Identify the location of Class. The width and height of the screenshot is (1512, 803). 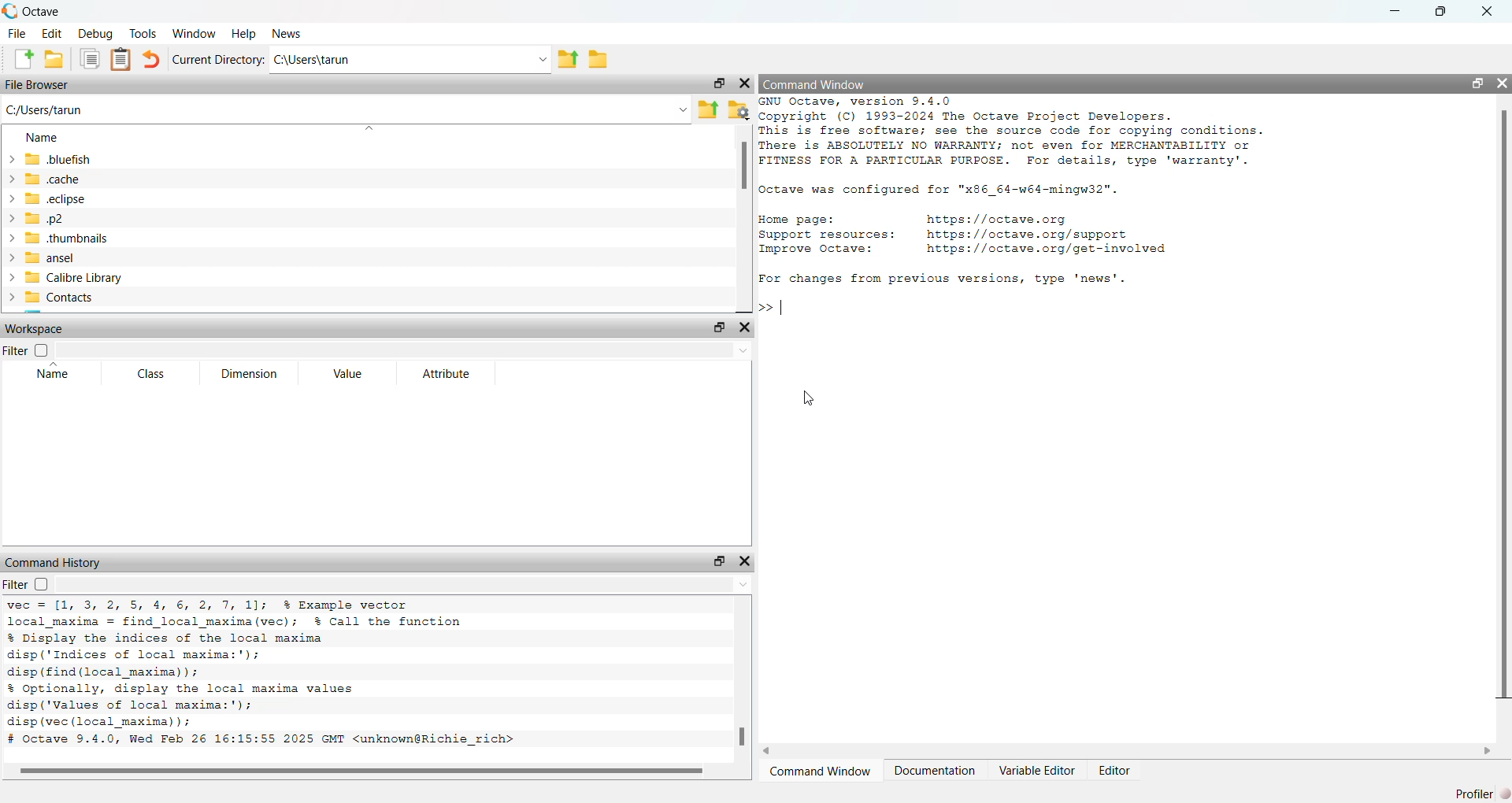
(150, 375).